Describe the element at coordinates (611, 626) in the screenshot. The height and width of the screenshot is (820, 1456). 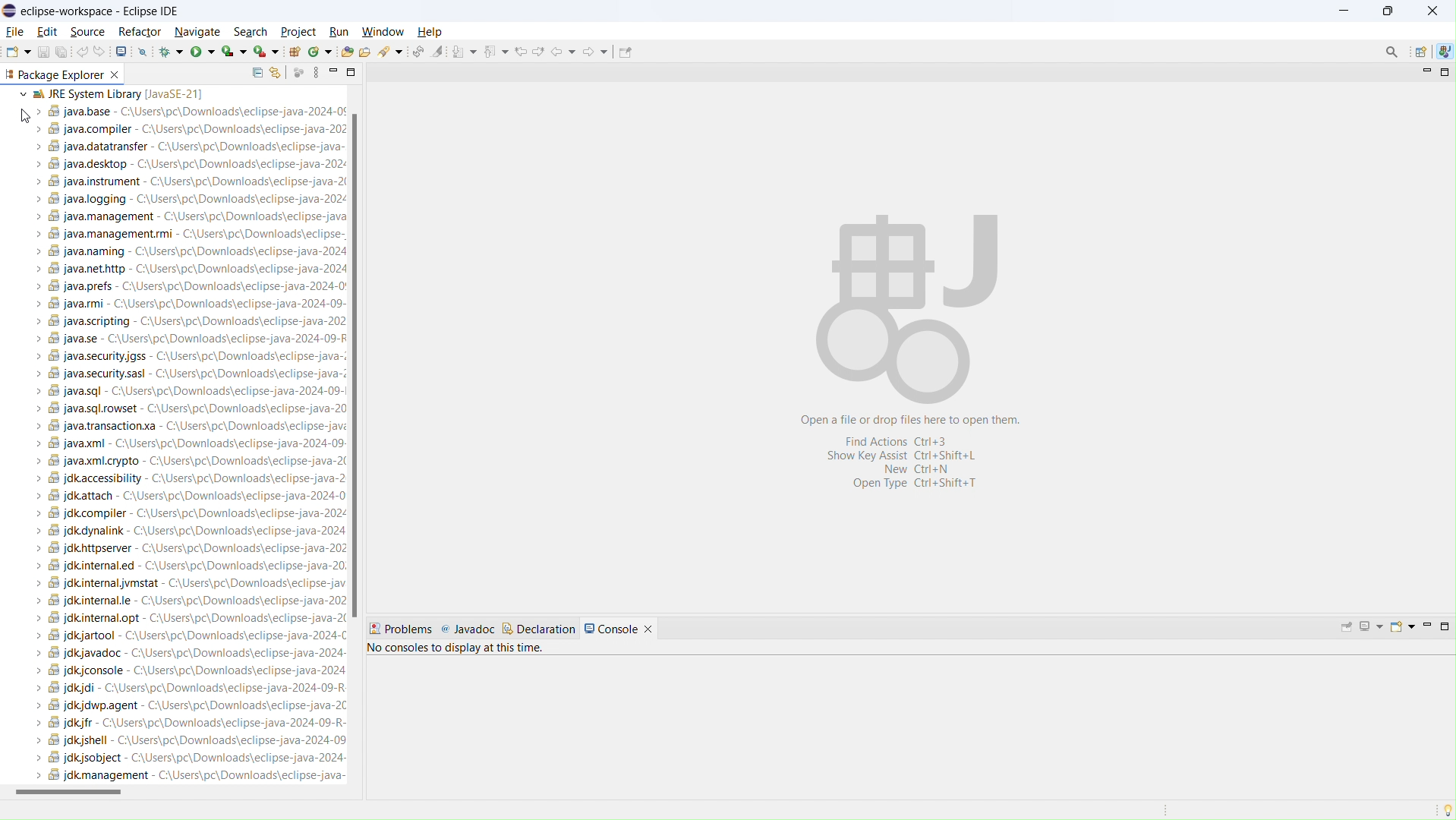
I see `console` at that location.